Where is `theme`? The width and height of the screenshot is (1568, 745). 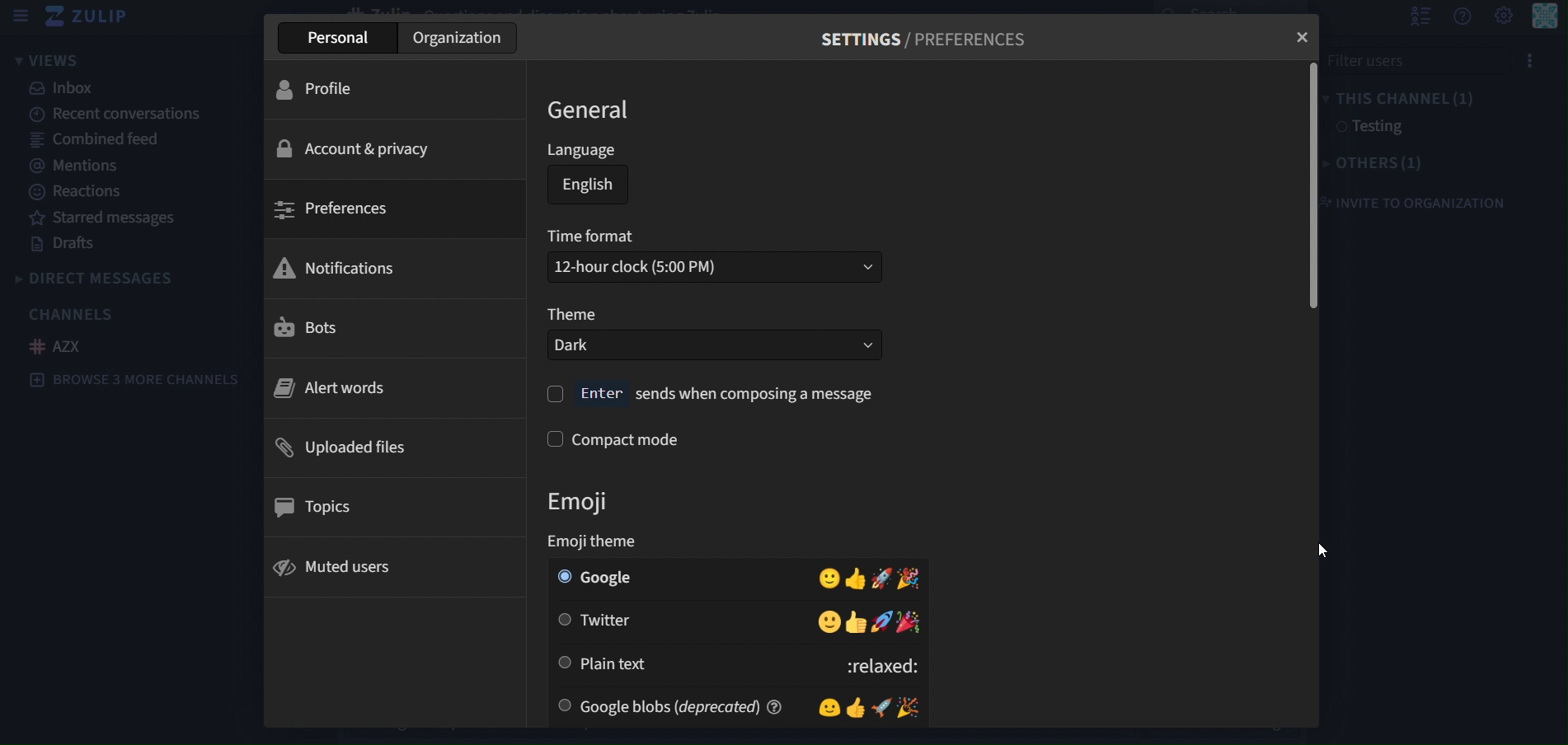 theme is located at coordinates (575, 312).